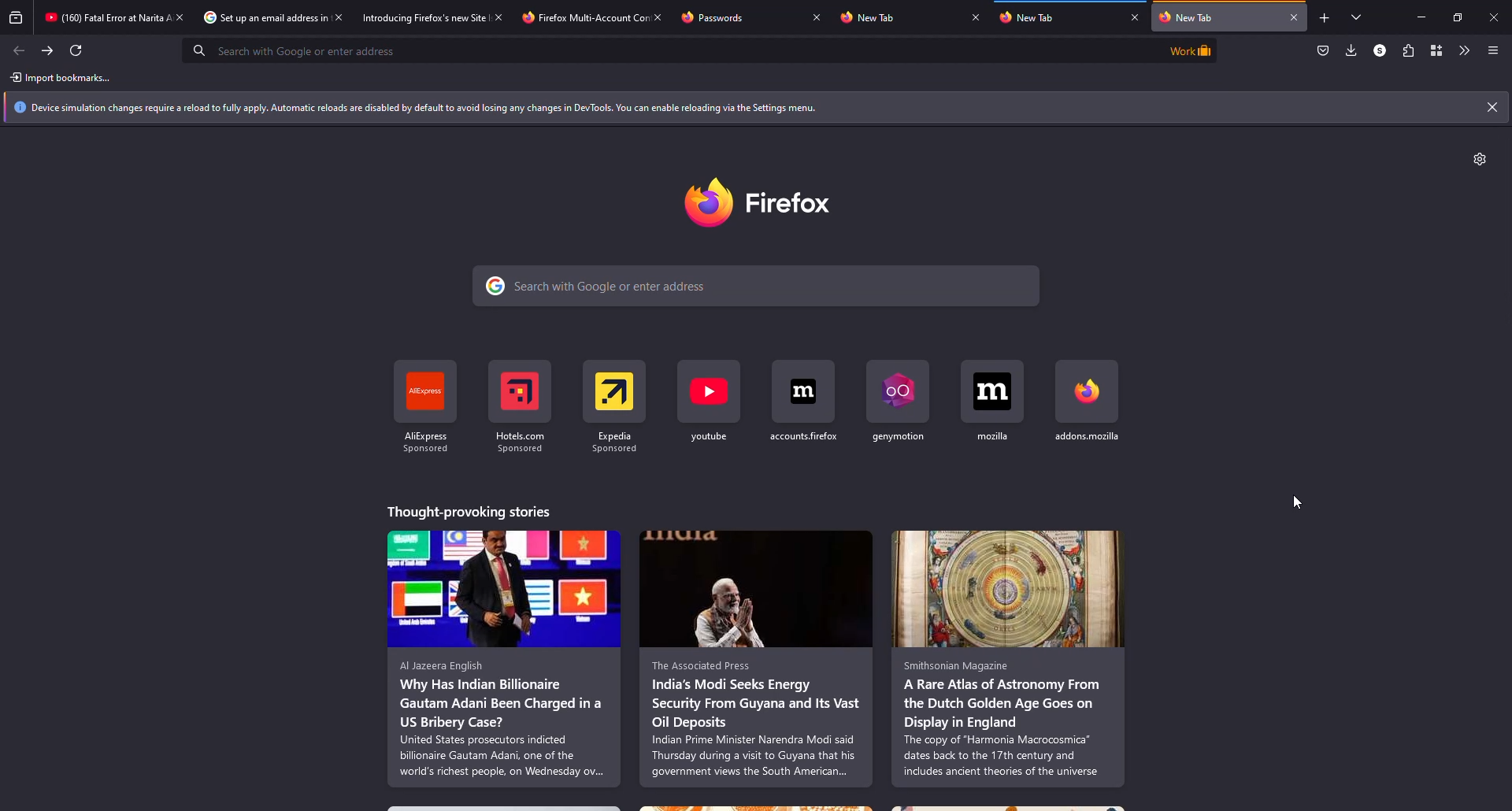  Describe the element at coordinates (1462, 50) in the screenshot. I see `more tools` at that location.